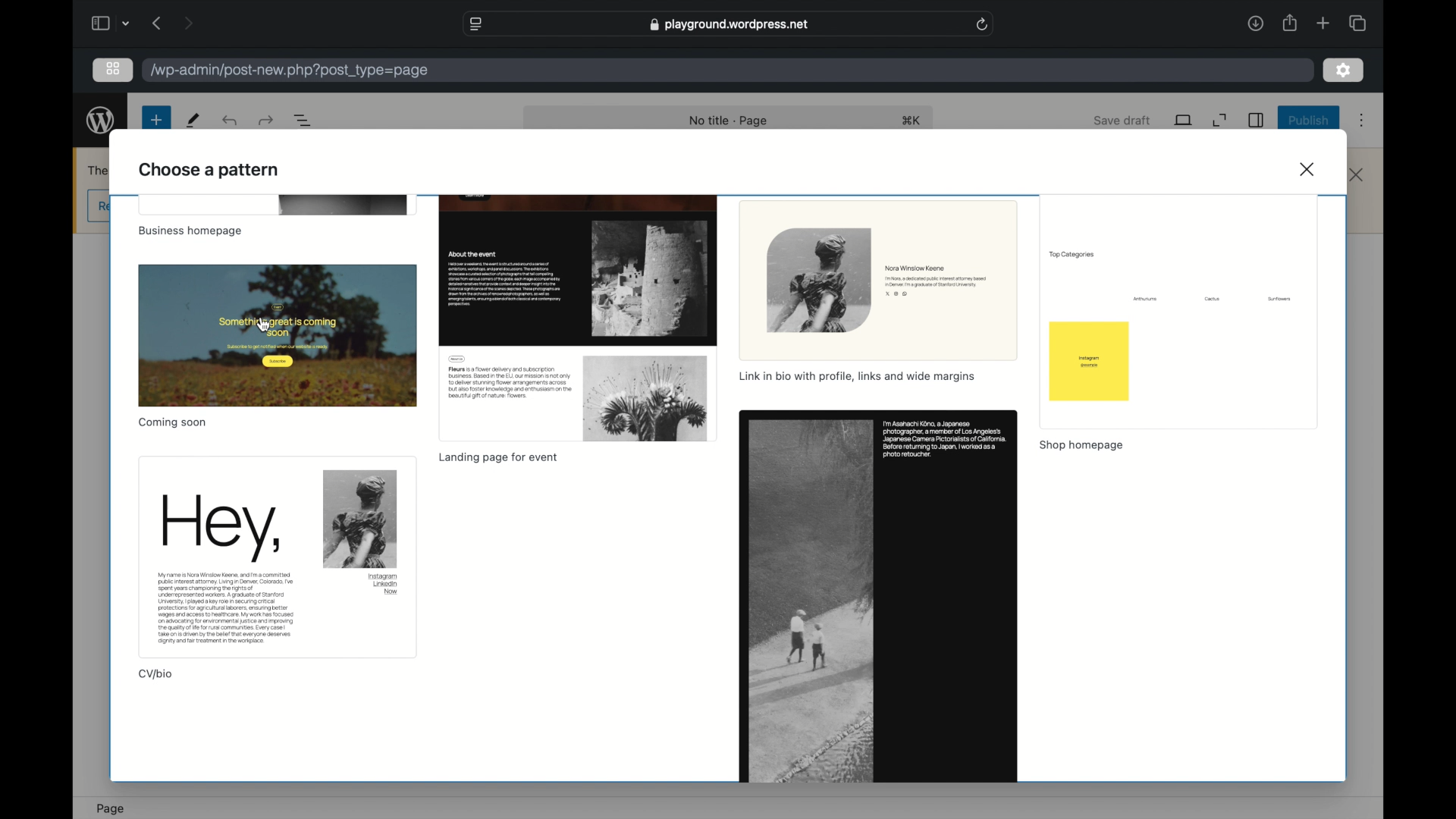 Image resolution: width=1456 pixels, height=819 pixels. I want to click on new tab, so click(1323, 23).